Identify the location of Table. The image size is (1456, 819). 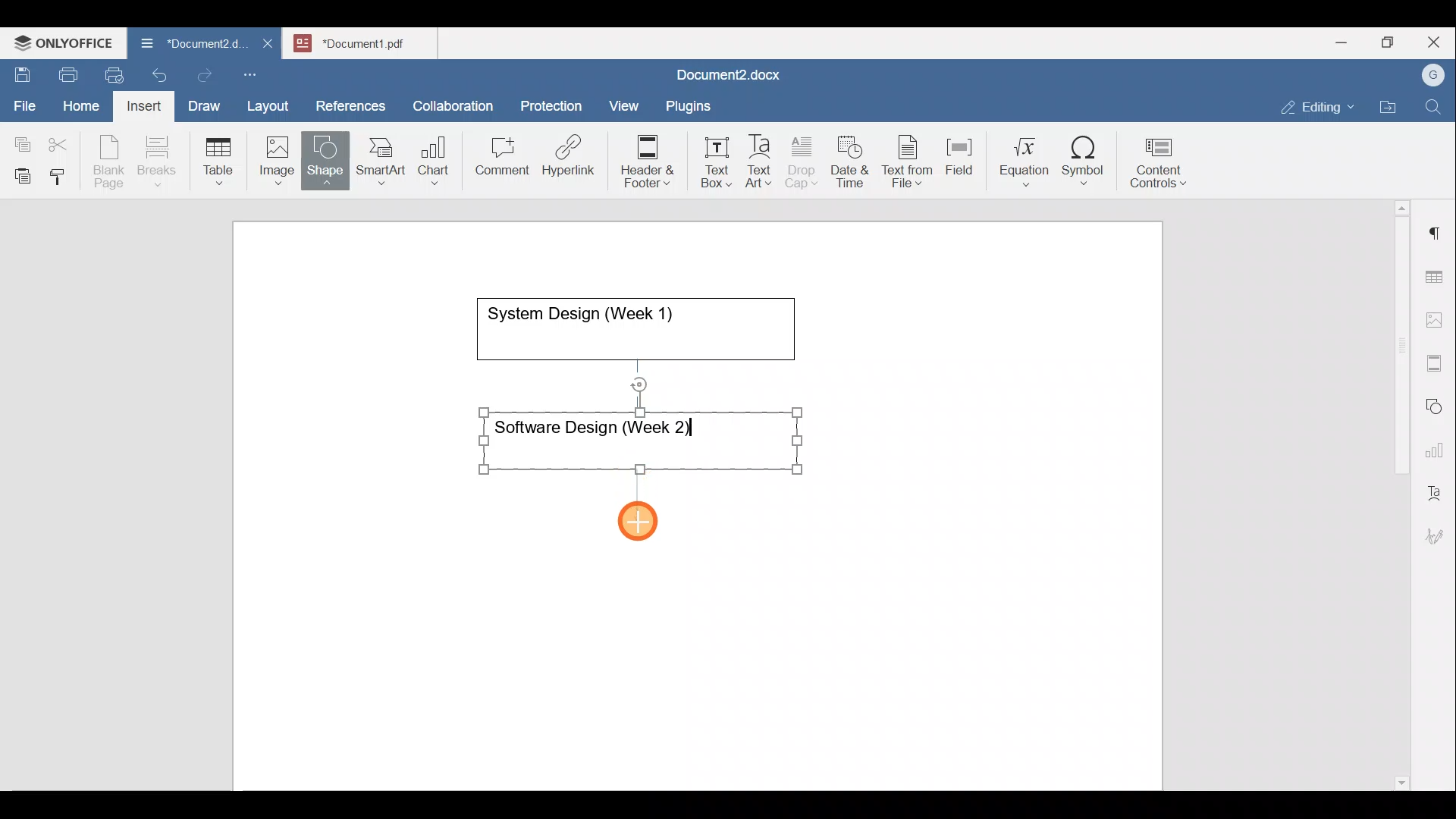
(219, 158).